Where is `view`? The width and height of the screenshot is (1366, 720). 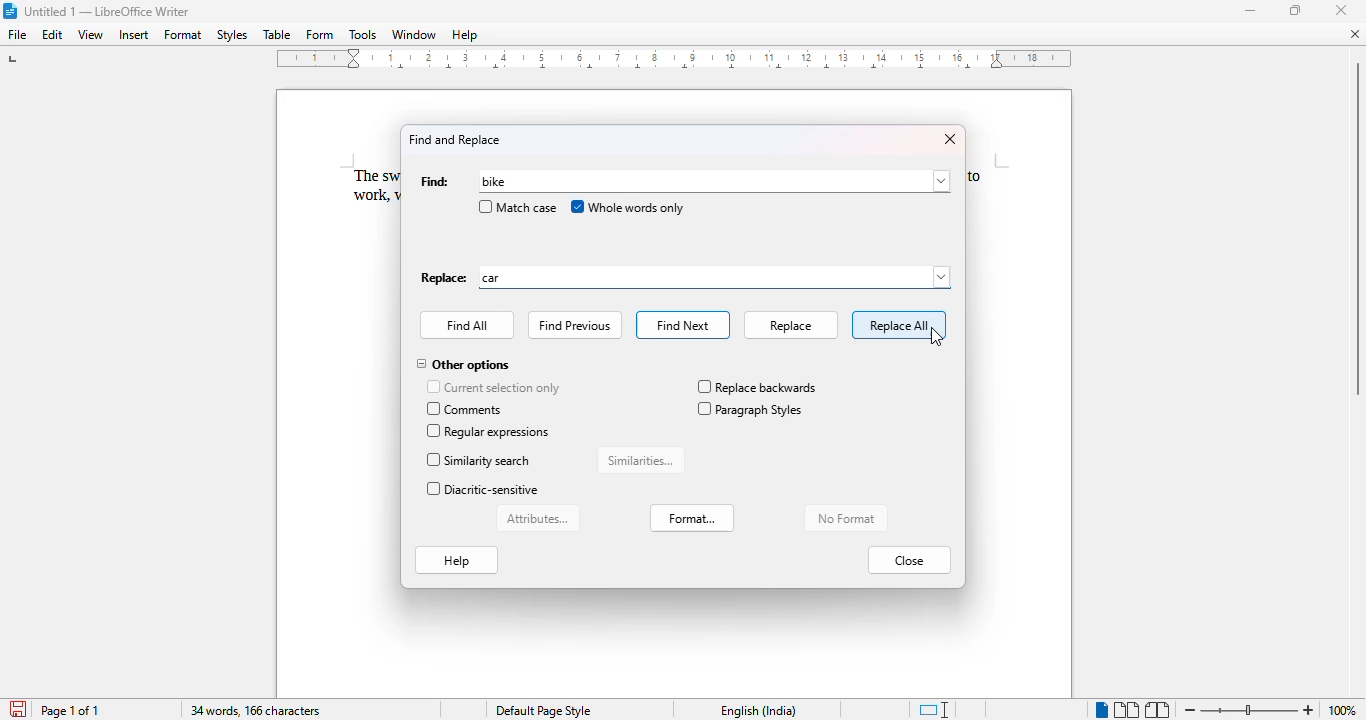
view is located at coordinates (90, 34).